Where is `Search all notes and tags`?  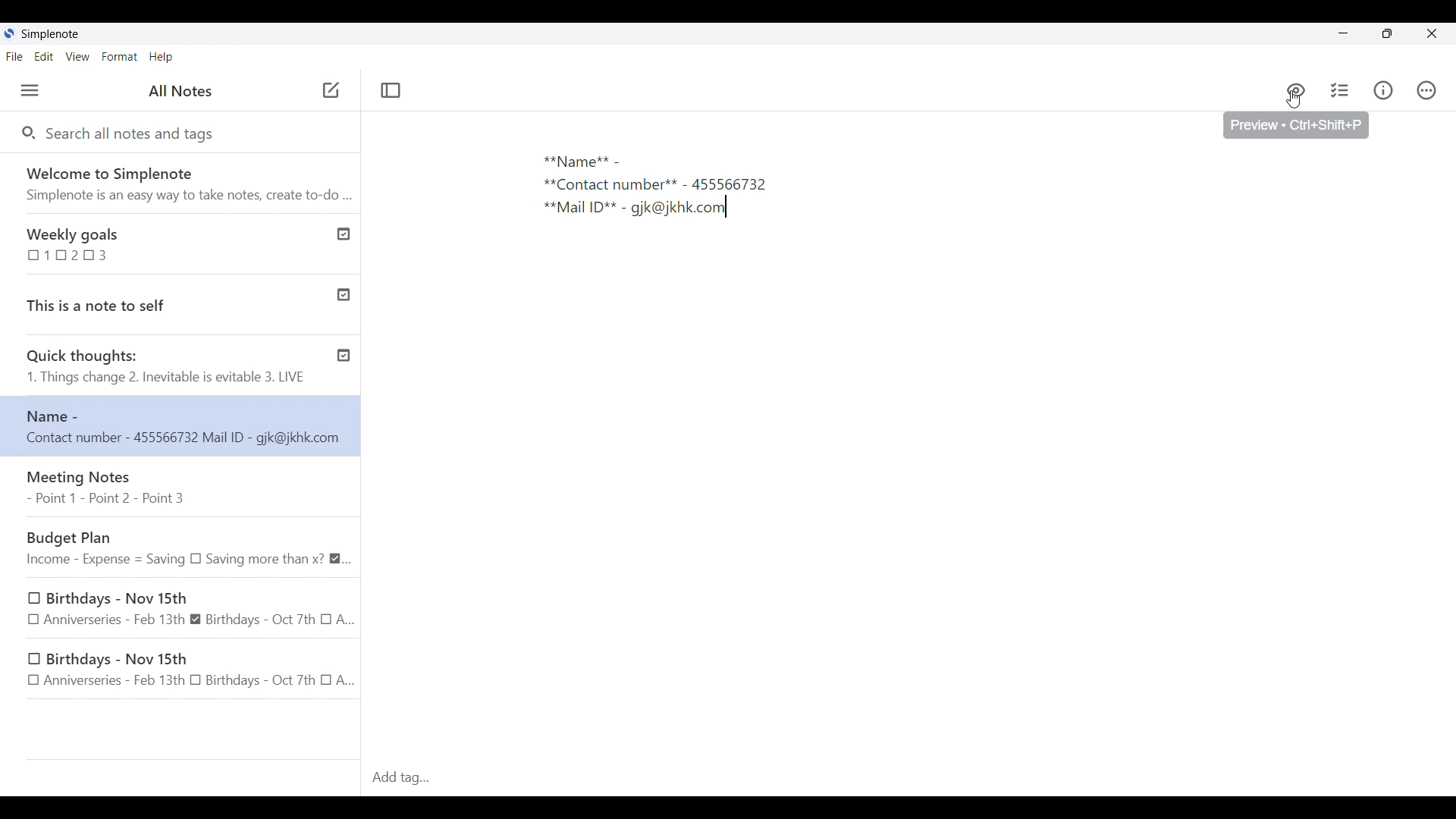
Search all notes and tags is located at coordinates (136, 134).